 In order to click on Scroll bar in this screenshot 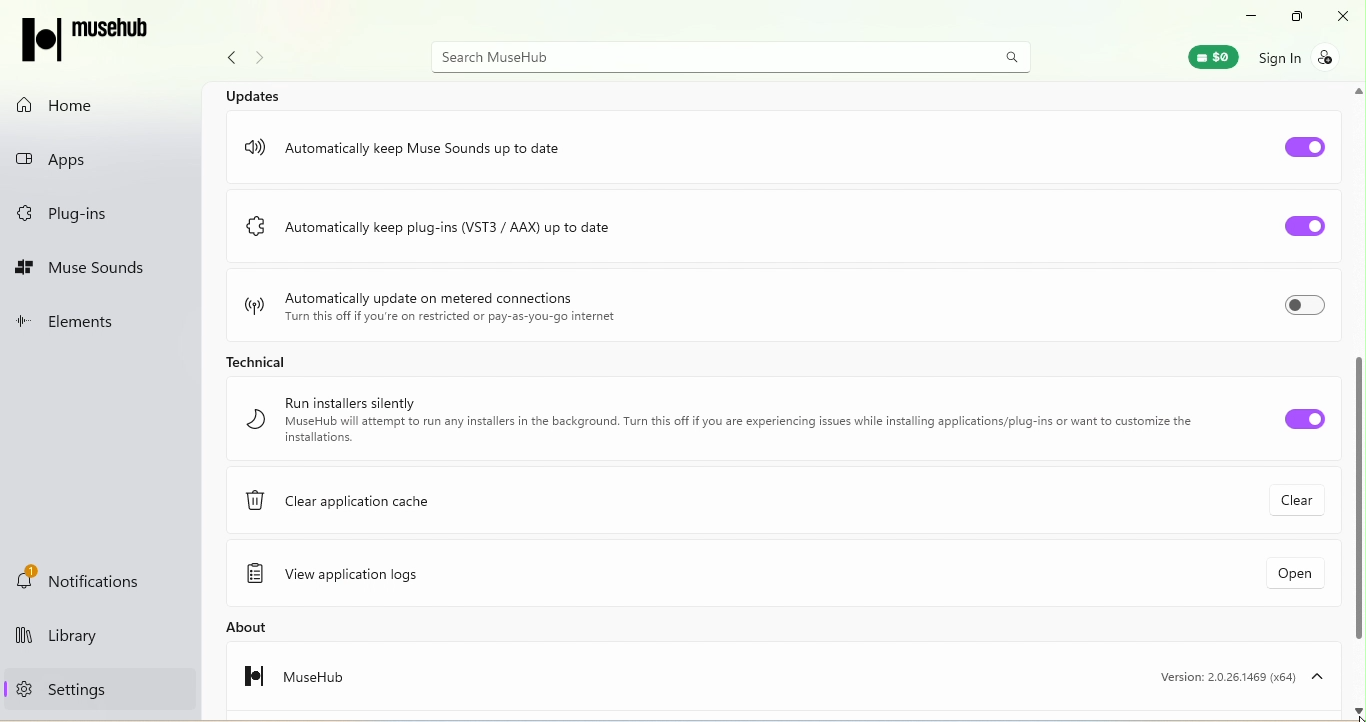, I will do `click(1358, 399)`.